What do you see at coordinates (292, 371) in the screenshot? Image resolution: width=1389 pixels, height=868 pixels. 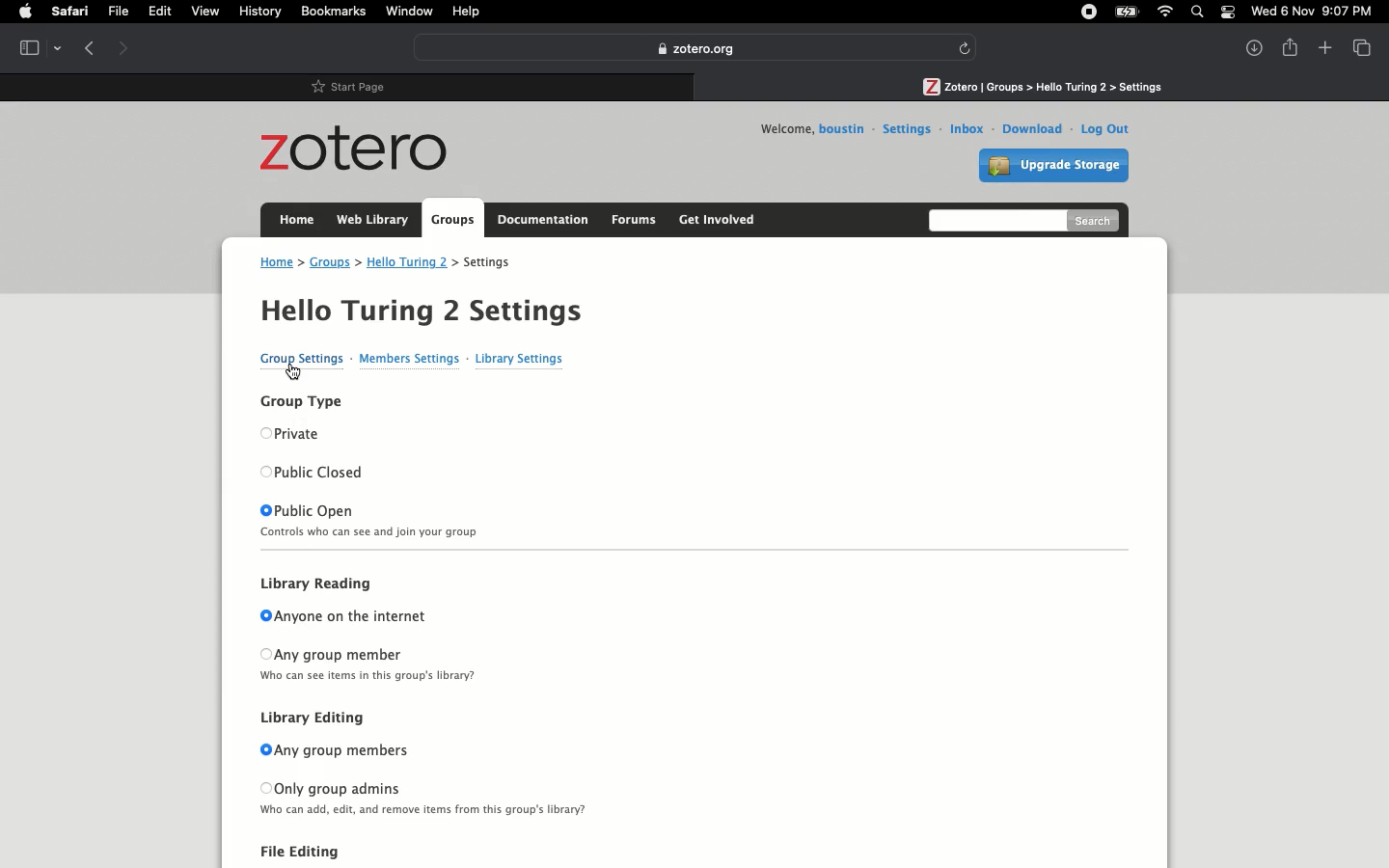 I see `cursor` at bounding box center [292, 371].